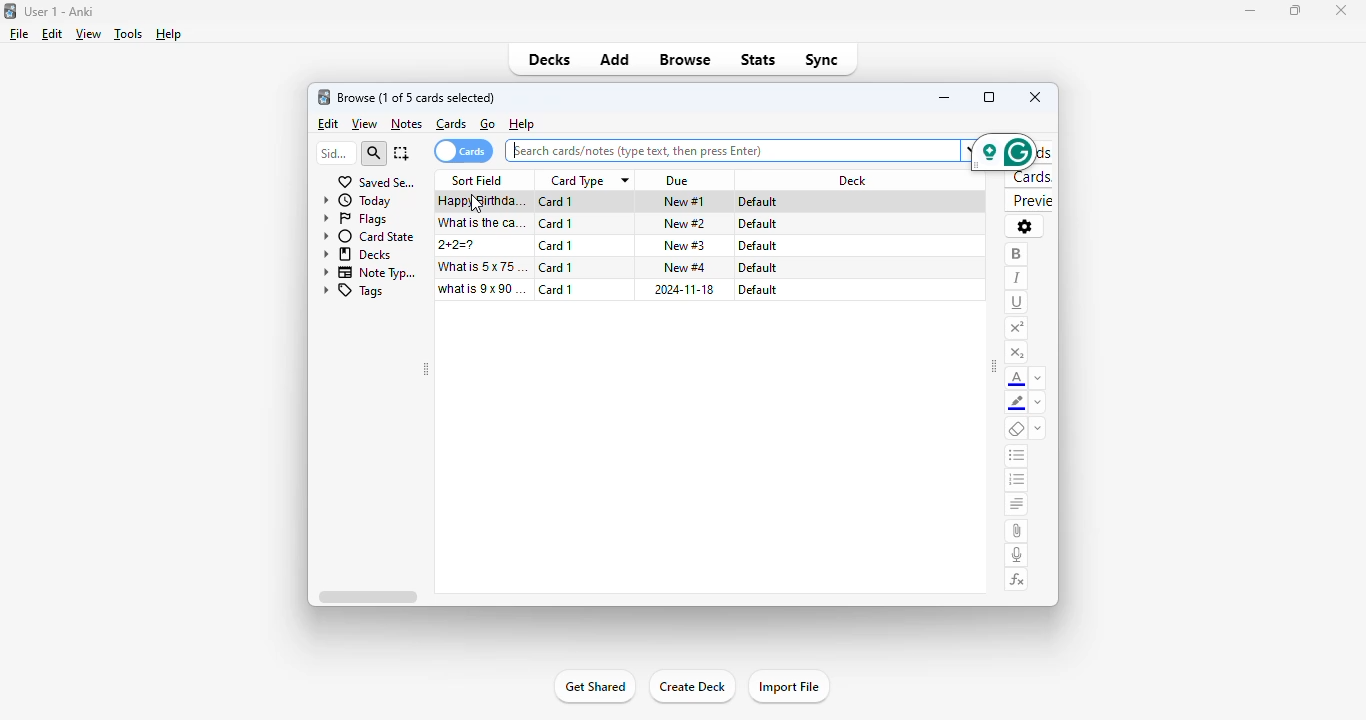  I want to click on sidebar filter, so click(335, 153).